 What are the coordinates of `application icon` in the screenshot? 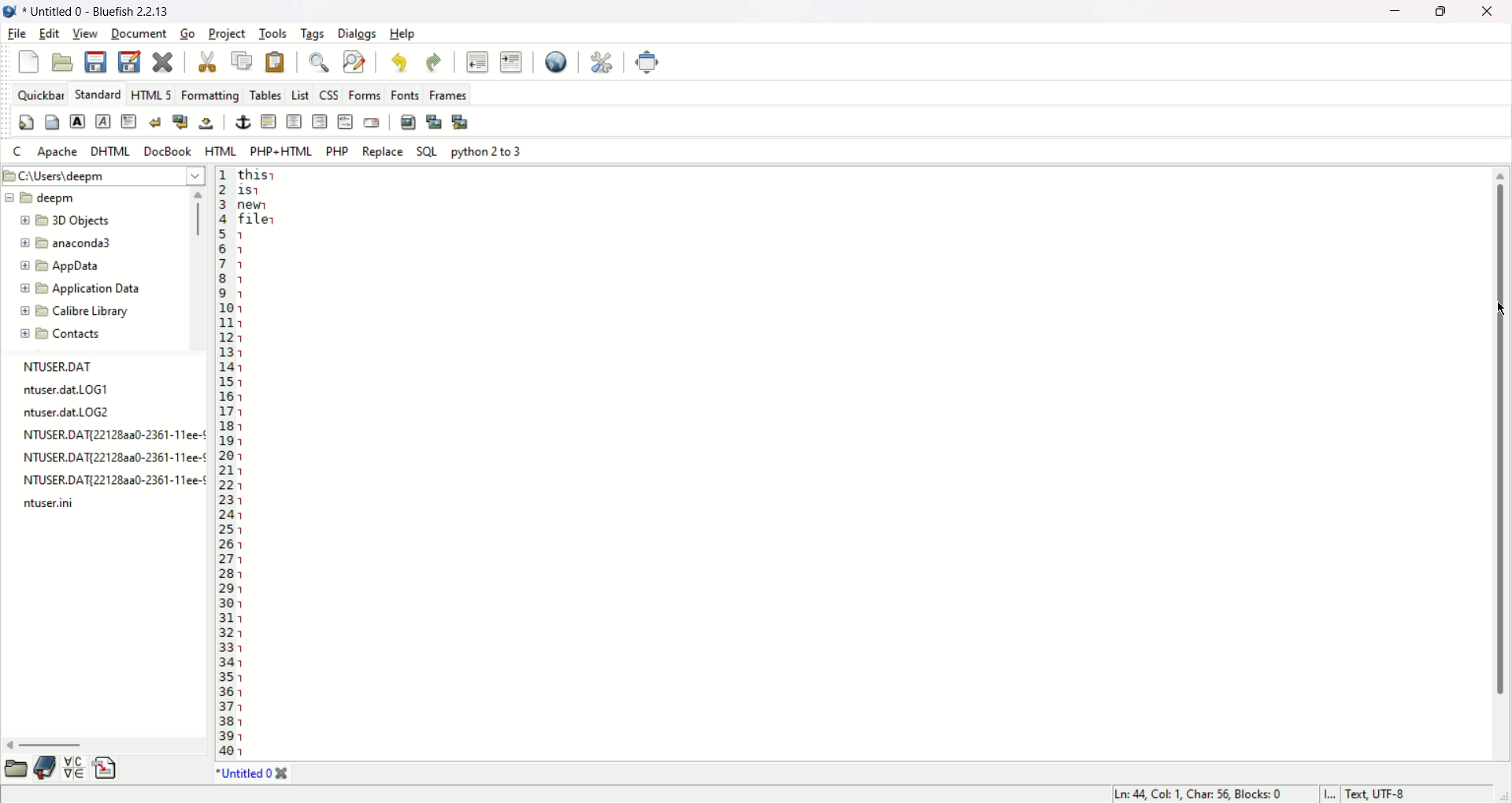 It's located at (10, 12).